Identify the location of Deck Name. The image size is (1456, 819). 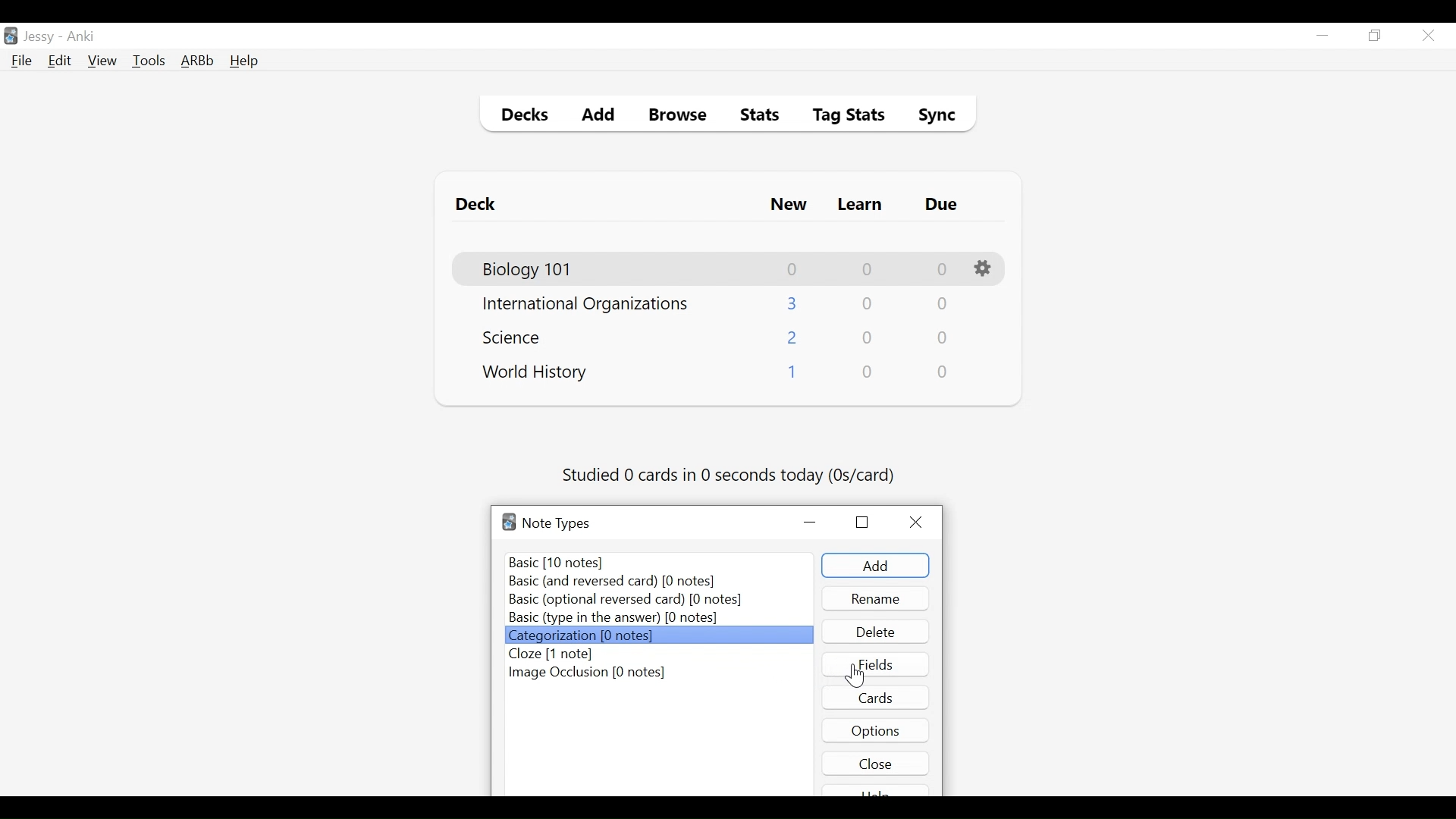
(535, 373).